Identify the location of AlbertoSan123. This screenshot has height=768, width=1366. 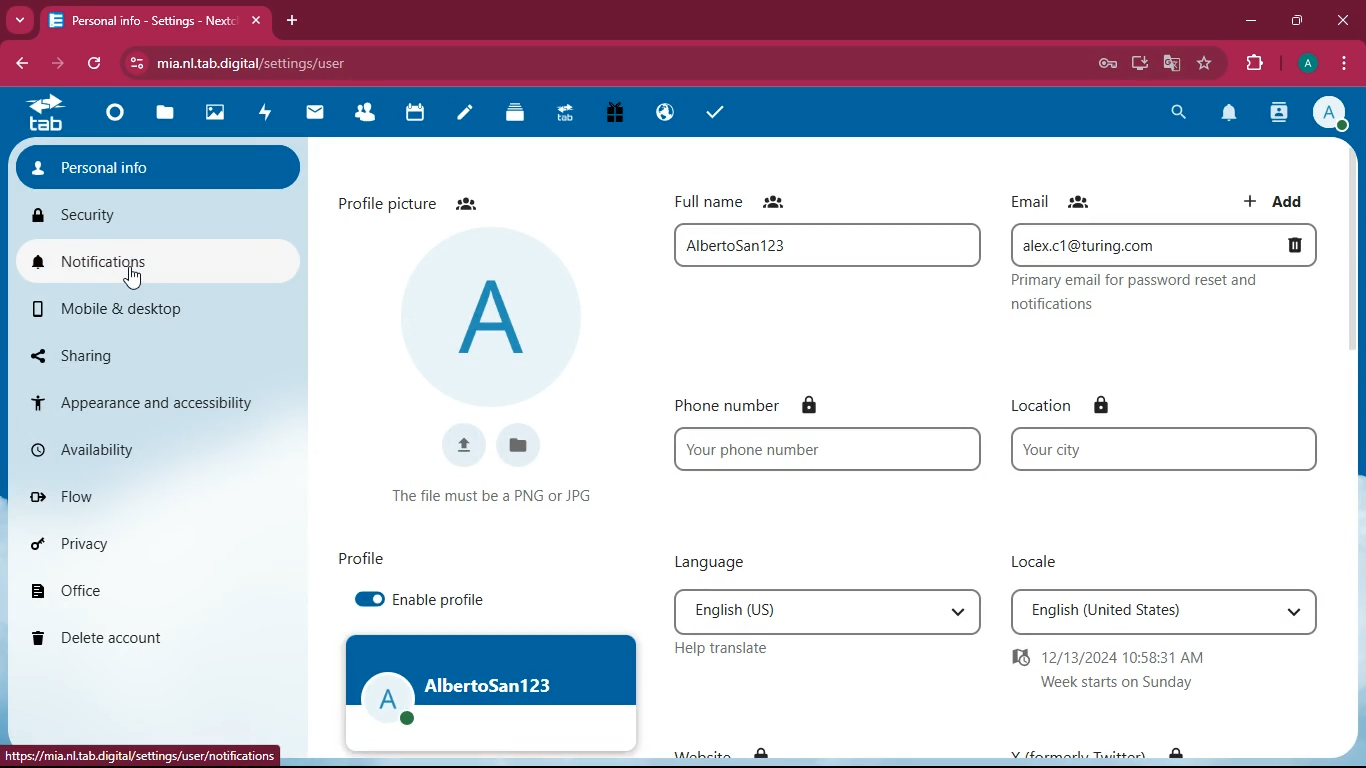
(490, 693).